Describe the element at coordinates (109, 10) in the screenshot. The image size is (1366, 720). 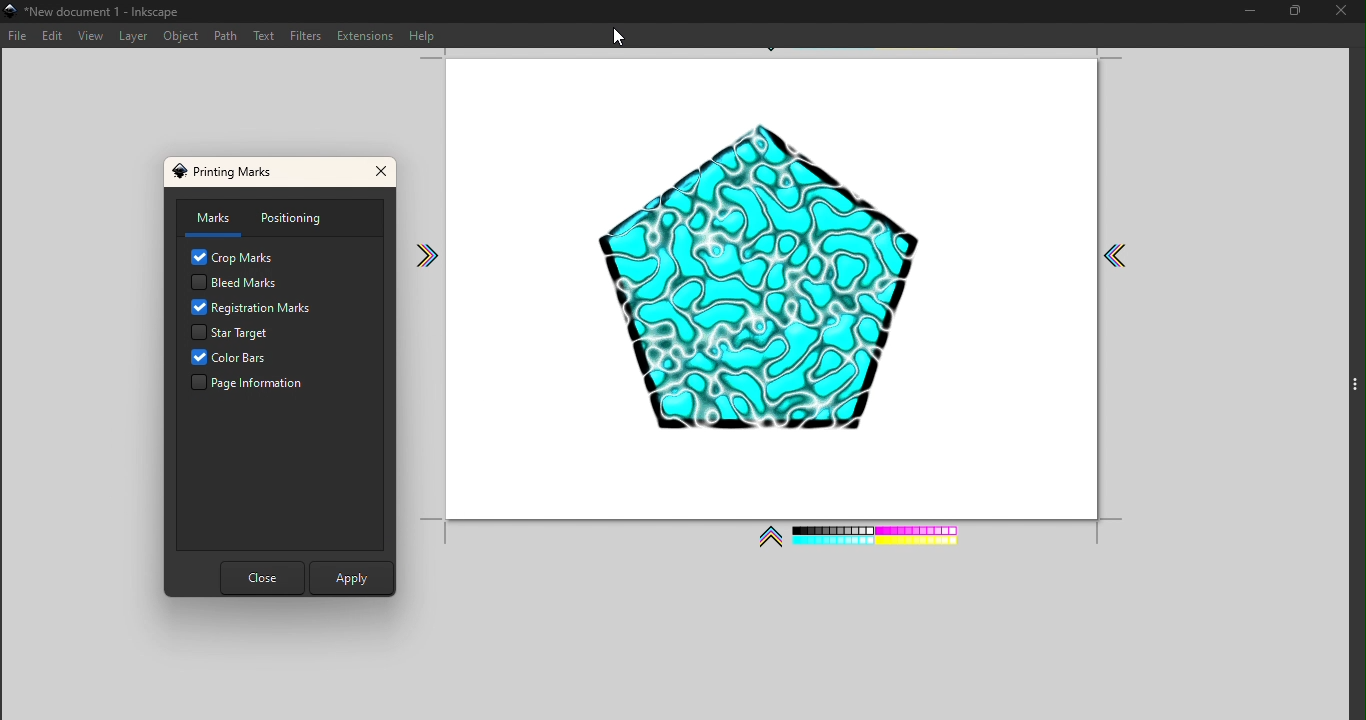
I see `New document 1 - Inkscape` at that location.